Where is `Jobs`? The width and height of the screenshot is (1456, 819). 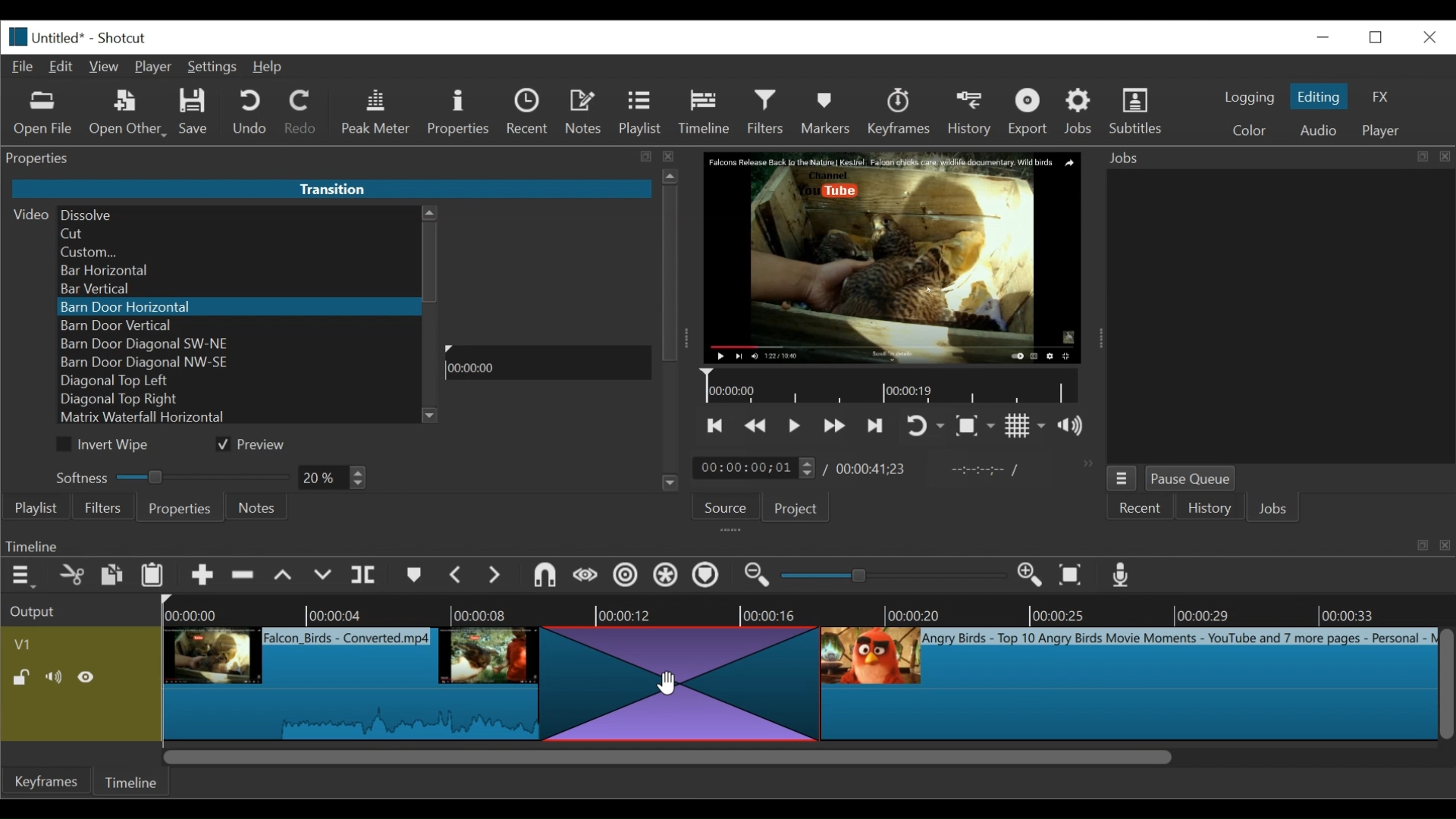 Jobs is located at coordinates (1278, 509).